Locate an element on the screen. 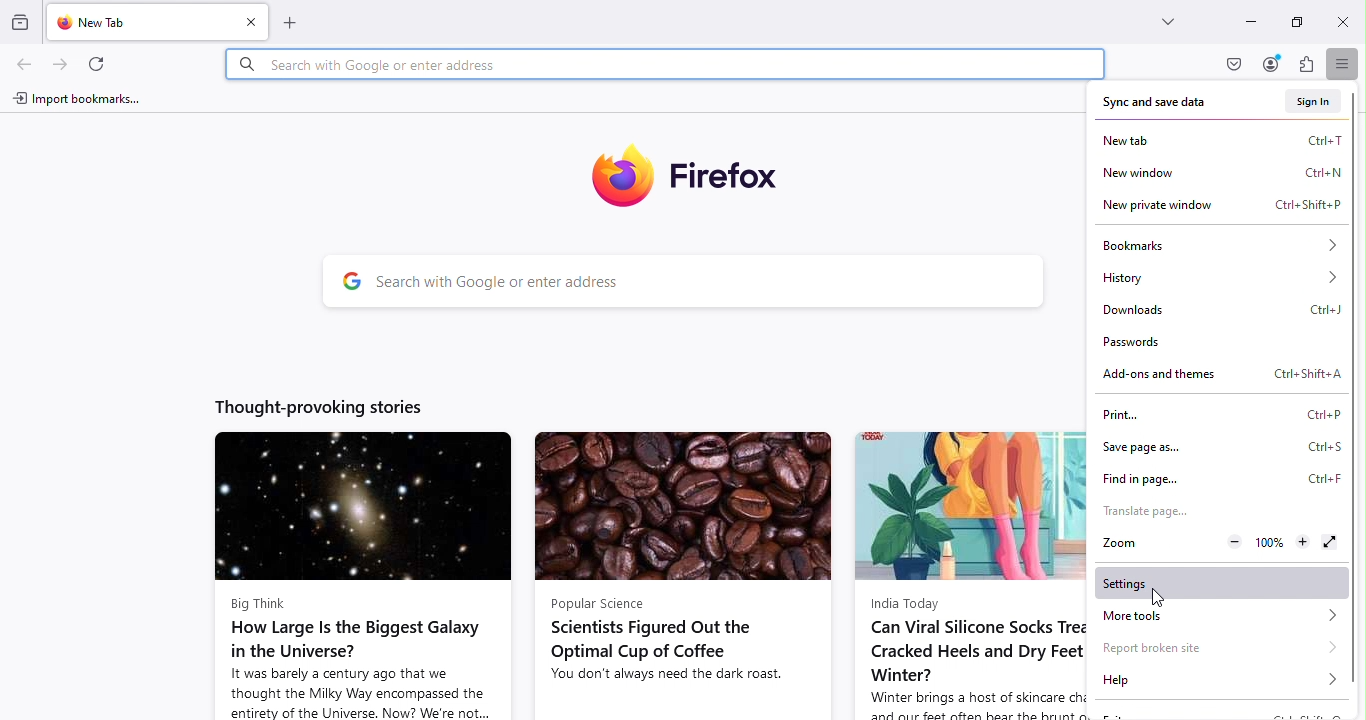 Image resolution: width=1366 pixels, height=720 pixels. Close tab is located at coordinates (246, 20).